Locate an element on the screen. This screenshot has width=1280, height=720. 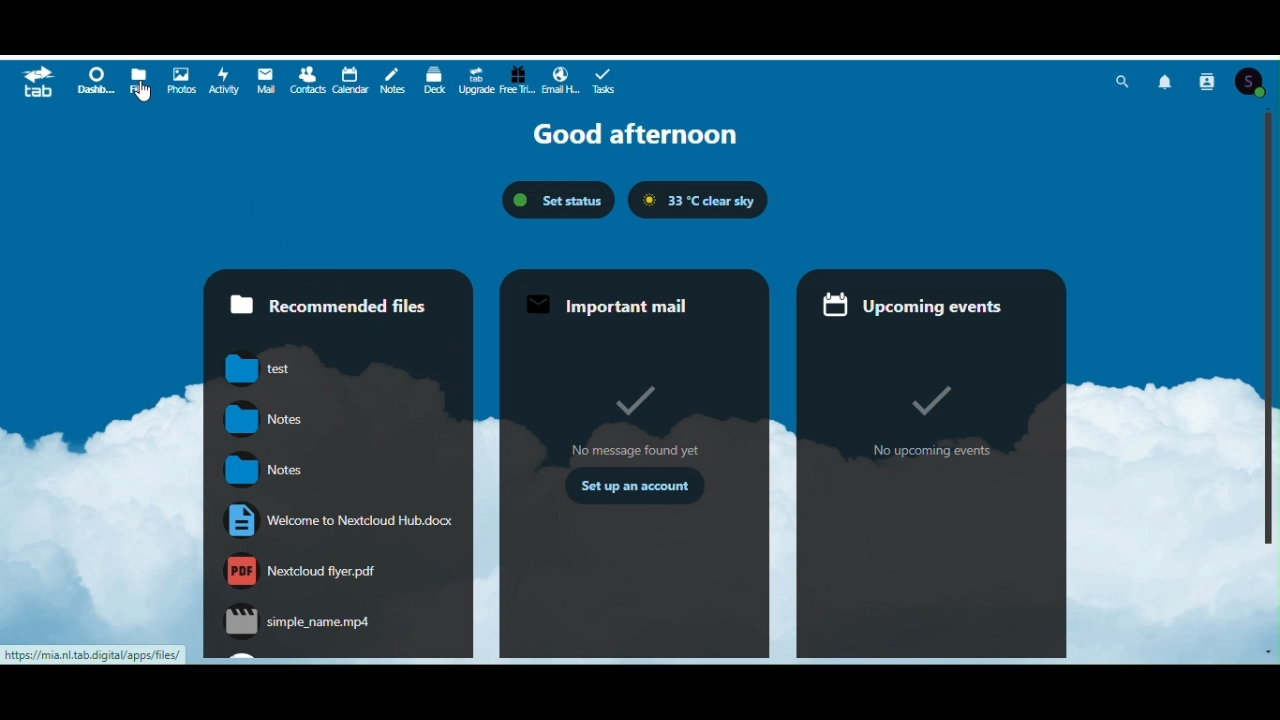
Search is located at coordinates (1123, 79).